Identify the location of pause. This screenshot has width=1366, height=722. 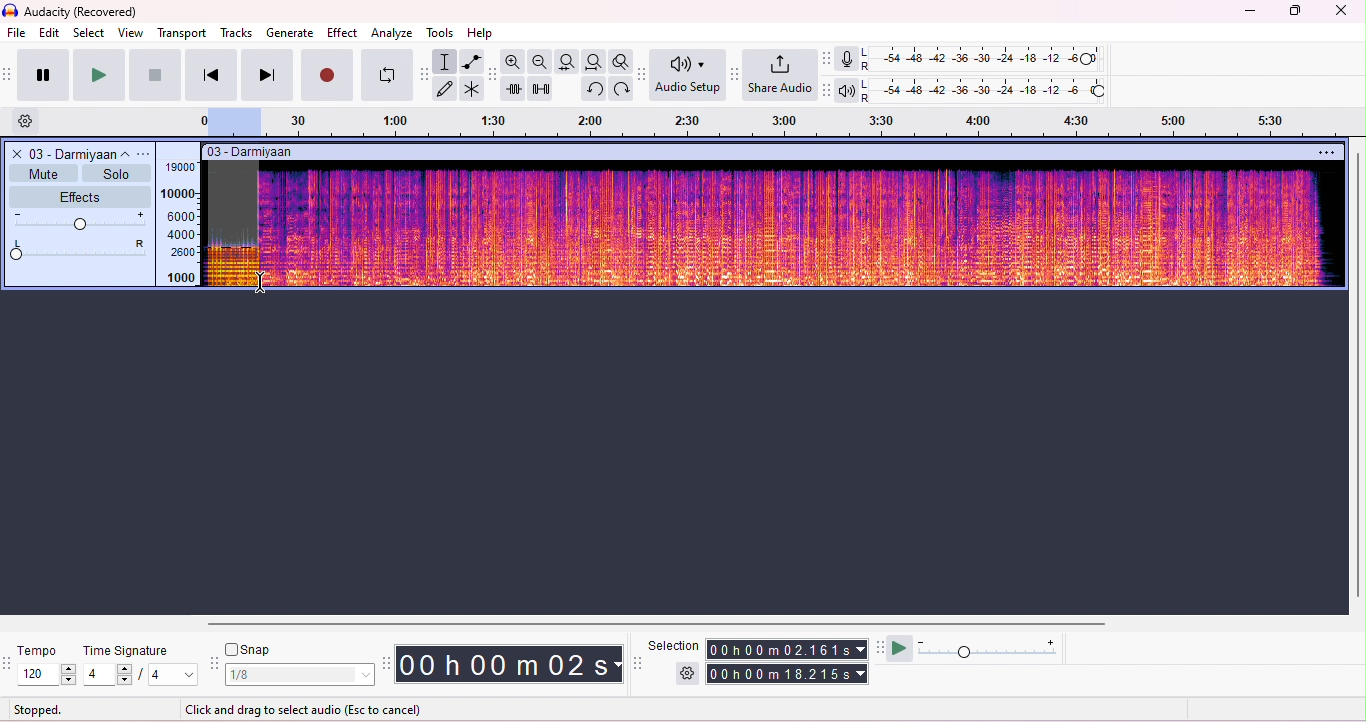
(45, 74).